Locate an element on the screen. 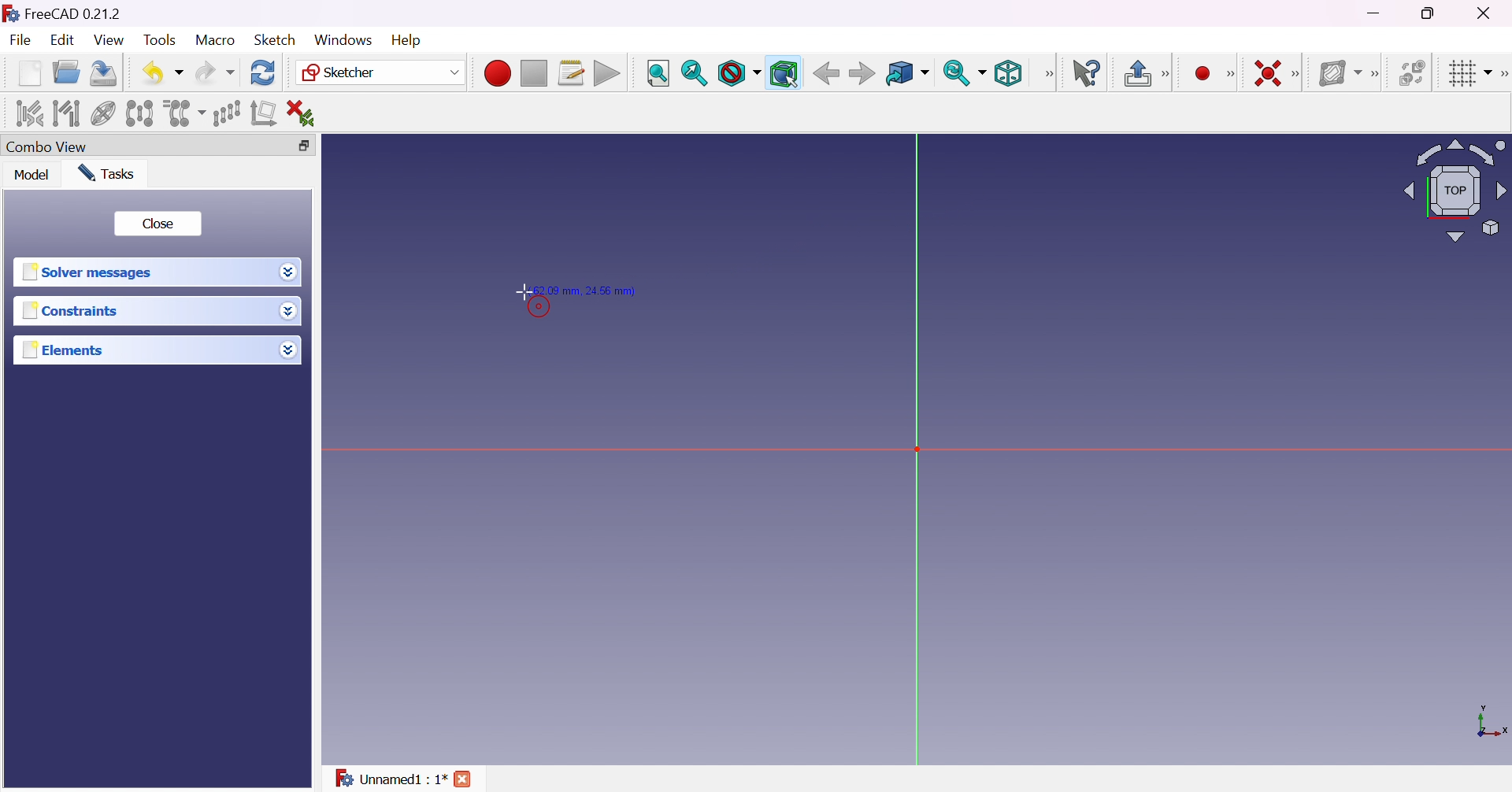  Show/hide internal geometry is located at coordinates (105, 115).